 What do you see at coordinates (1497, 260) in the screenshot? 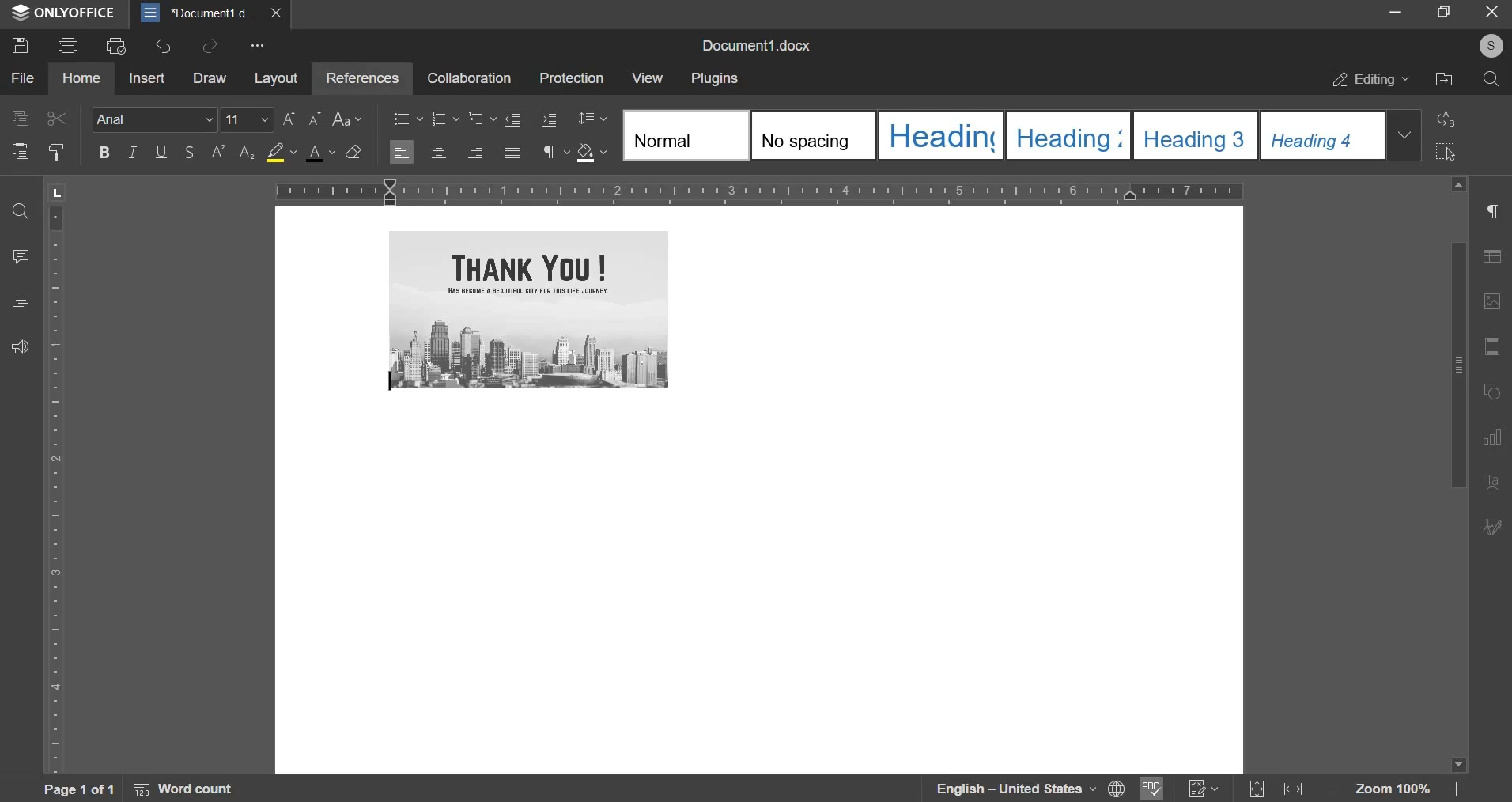
I see `table` at bounding box center [1497, 260].